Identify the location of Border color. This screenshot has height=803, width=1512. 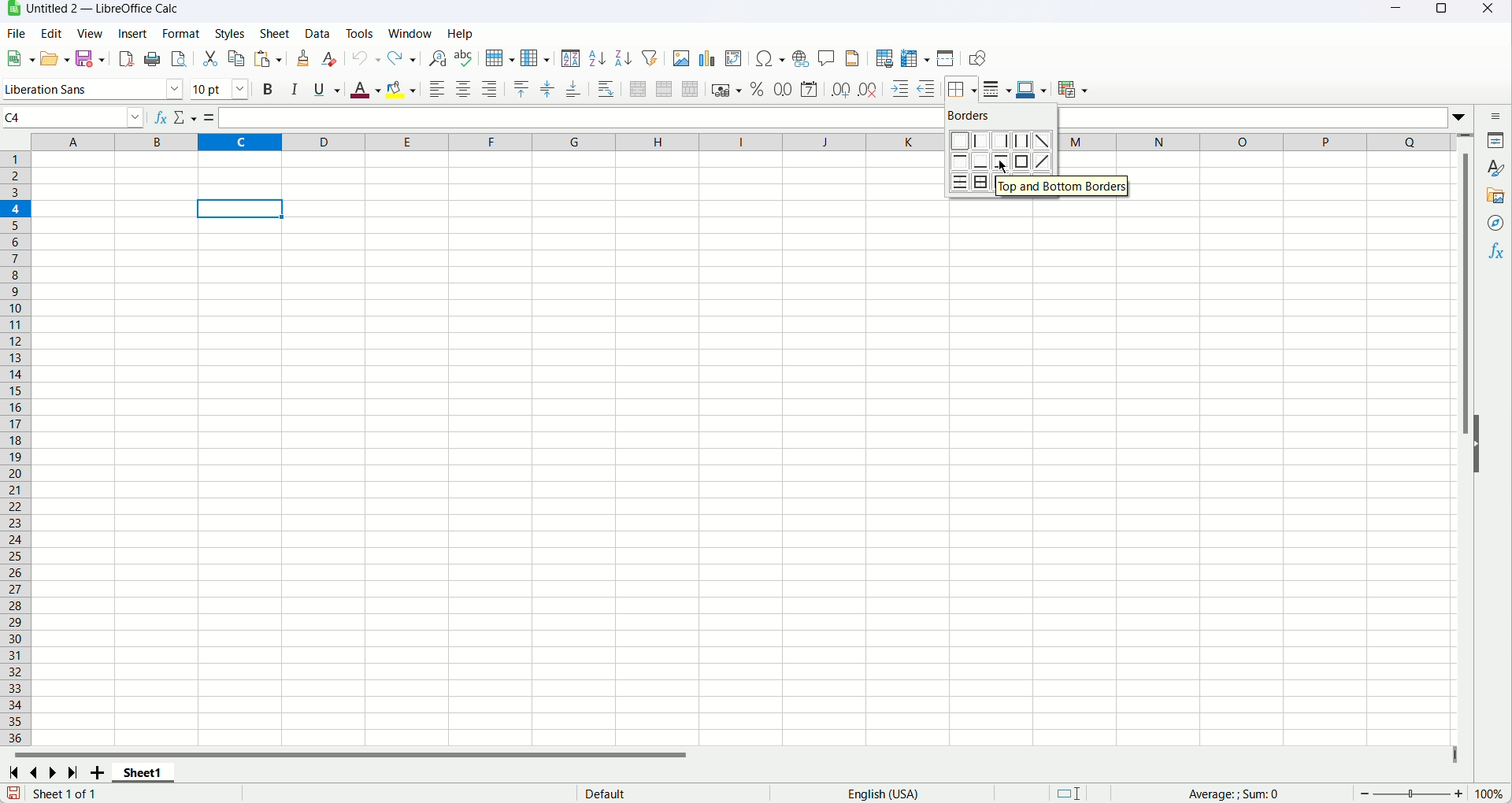
(1031, 89).